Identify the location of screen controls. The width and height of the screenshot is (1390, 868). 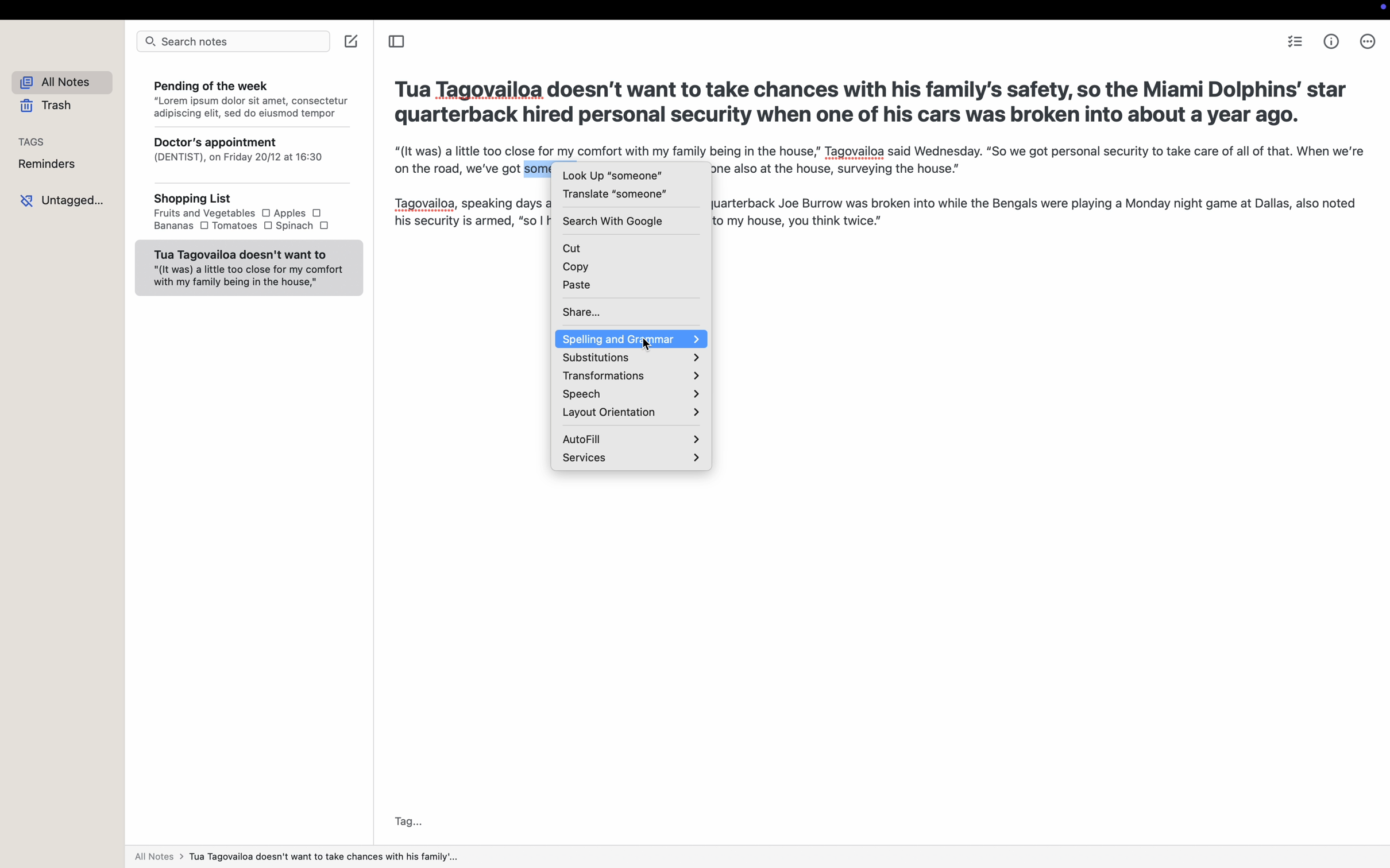
(1380, 9).